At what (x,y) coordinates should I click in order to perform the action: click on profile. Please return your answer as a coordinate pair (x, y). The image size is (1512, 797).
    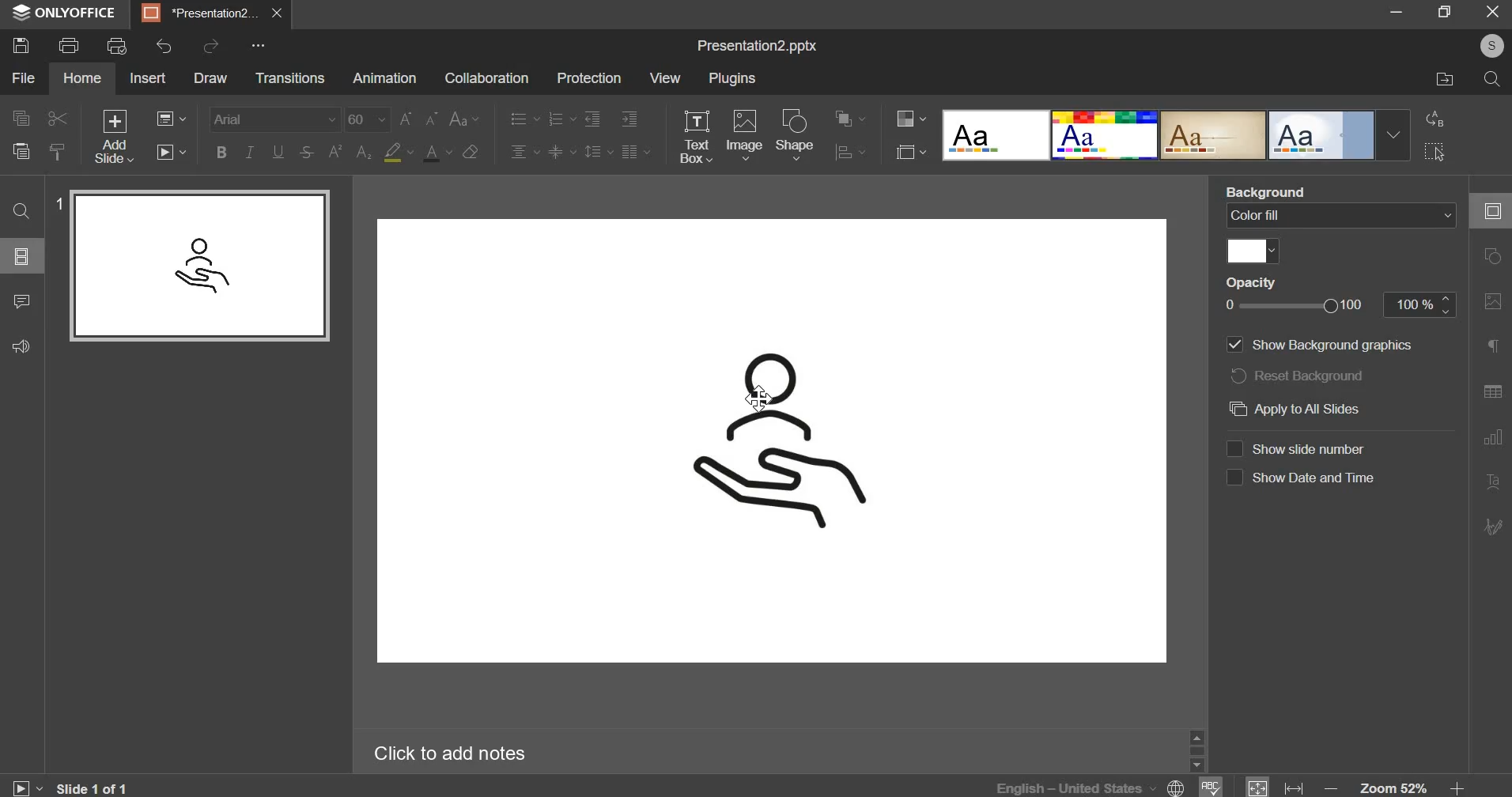
    Looking at the image, I should click on (1487, 45).